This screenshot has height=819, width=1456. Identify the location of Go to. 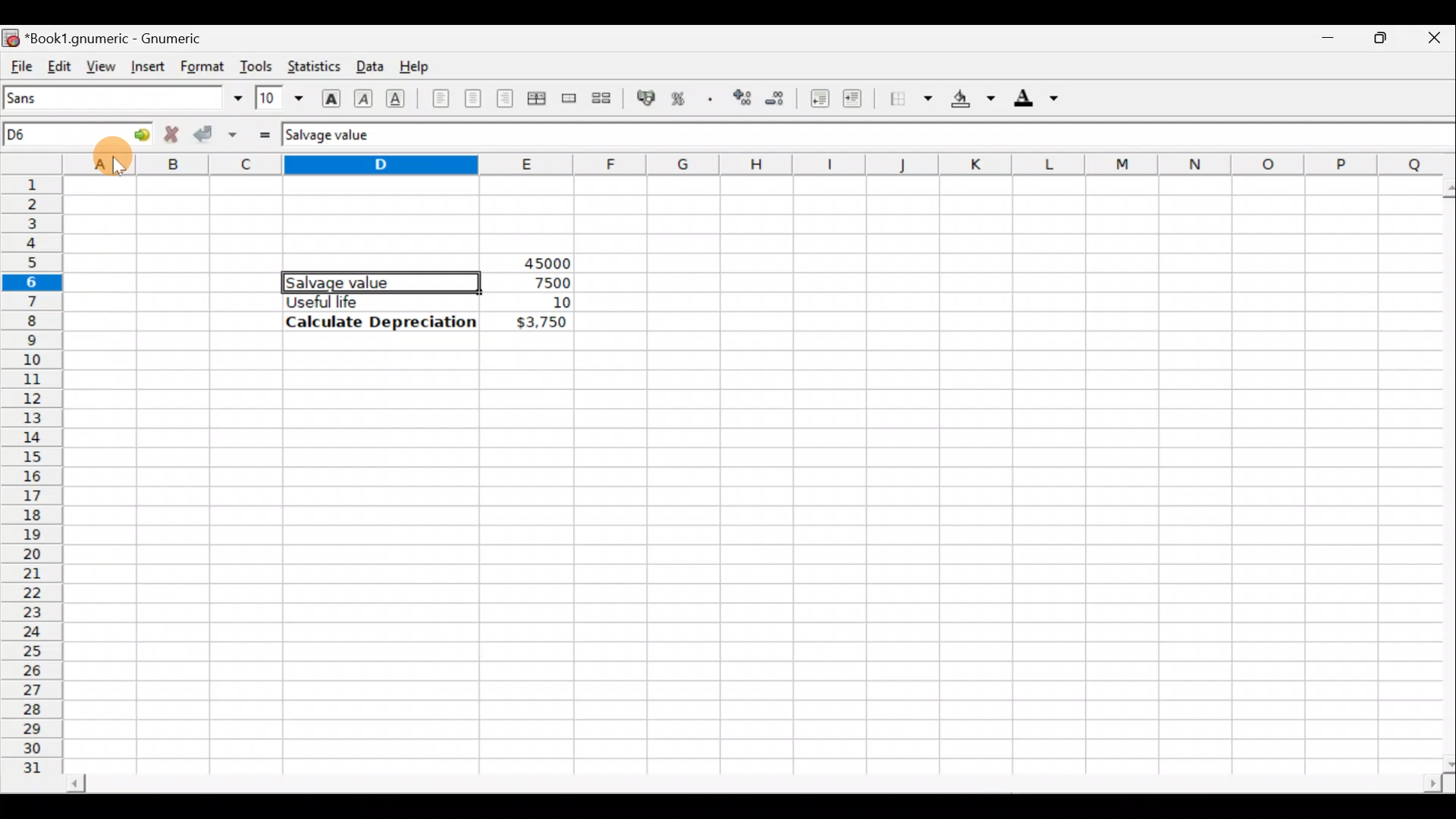
(131, 133).